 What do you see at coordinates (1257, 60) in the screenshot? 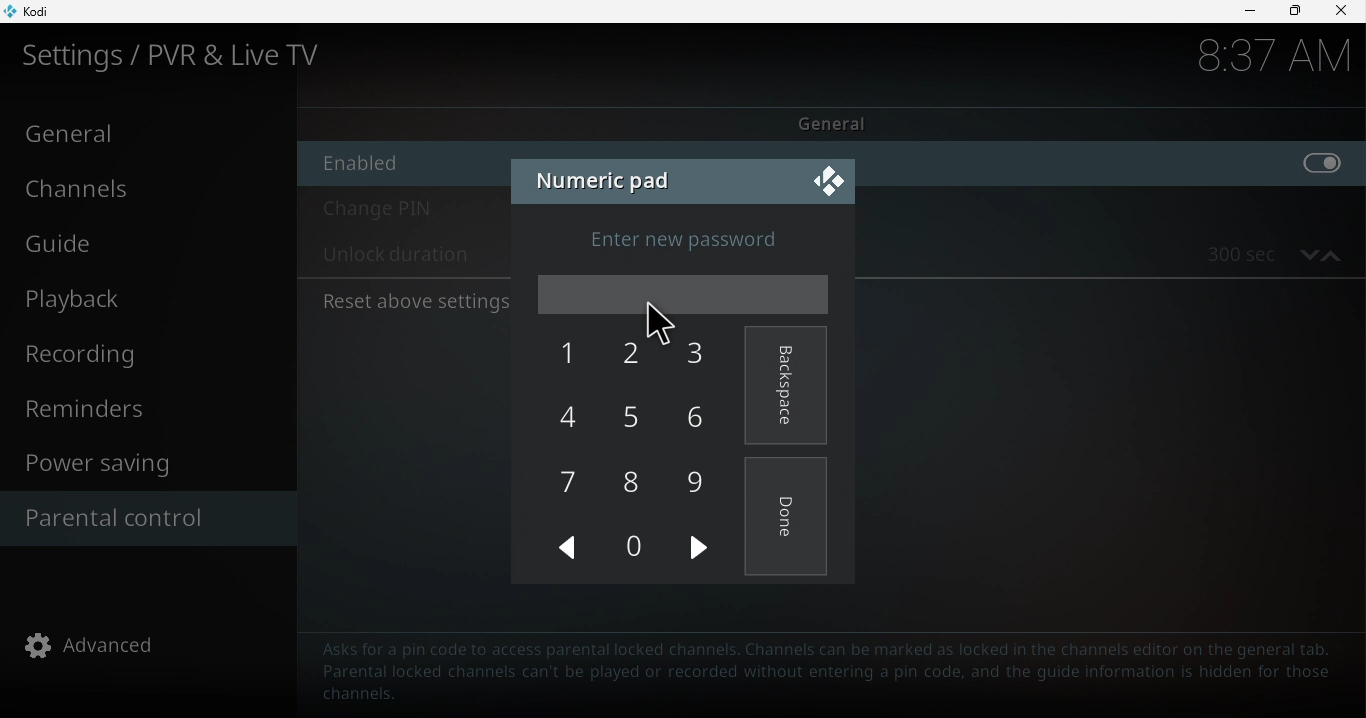
I see `time` at bounding box center [1257, 60].